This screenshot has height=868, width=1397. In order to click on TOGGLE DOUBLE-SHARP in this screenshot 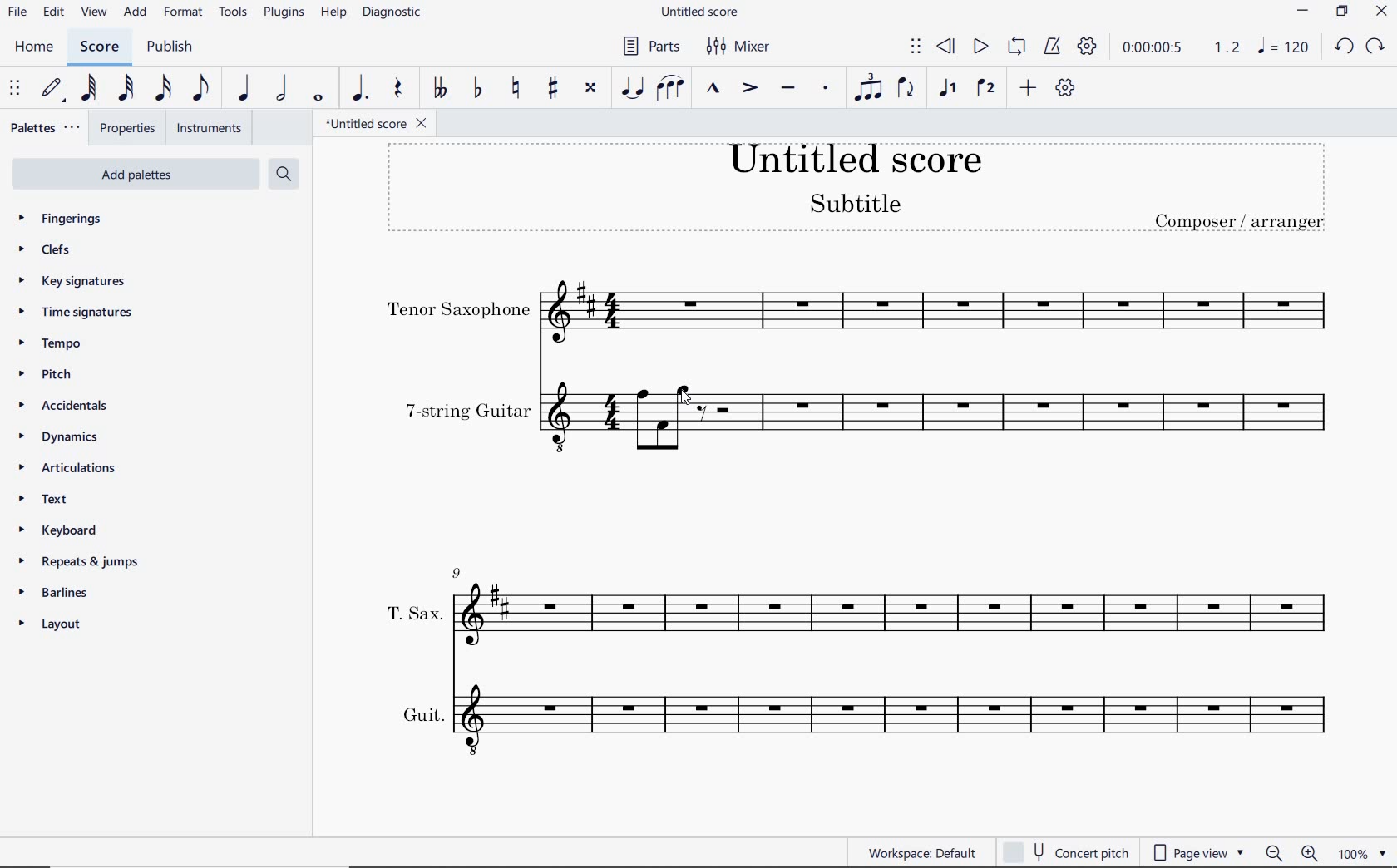, I will do `click(592, 87)`.